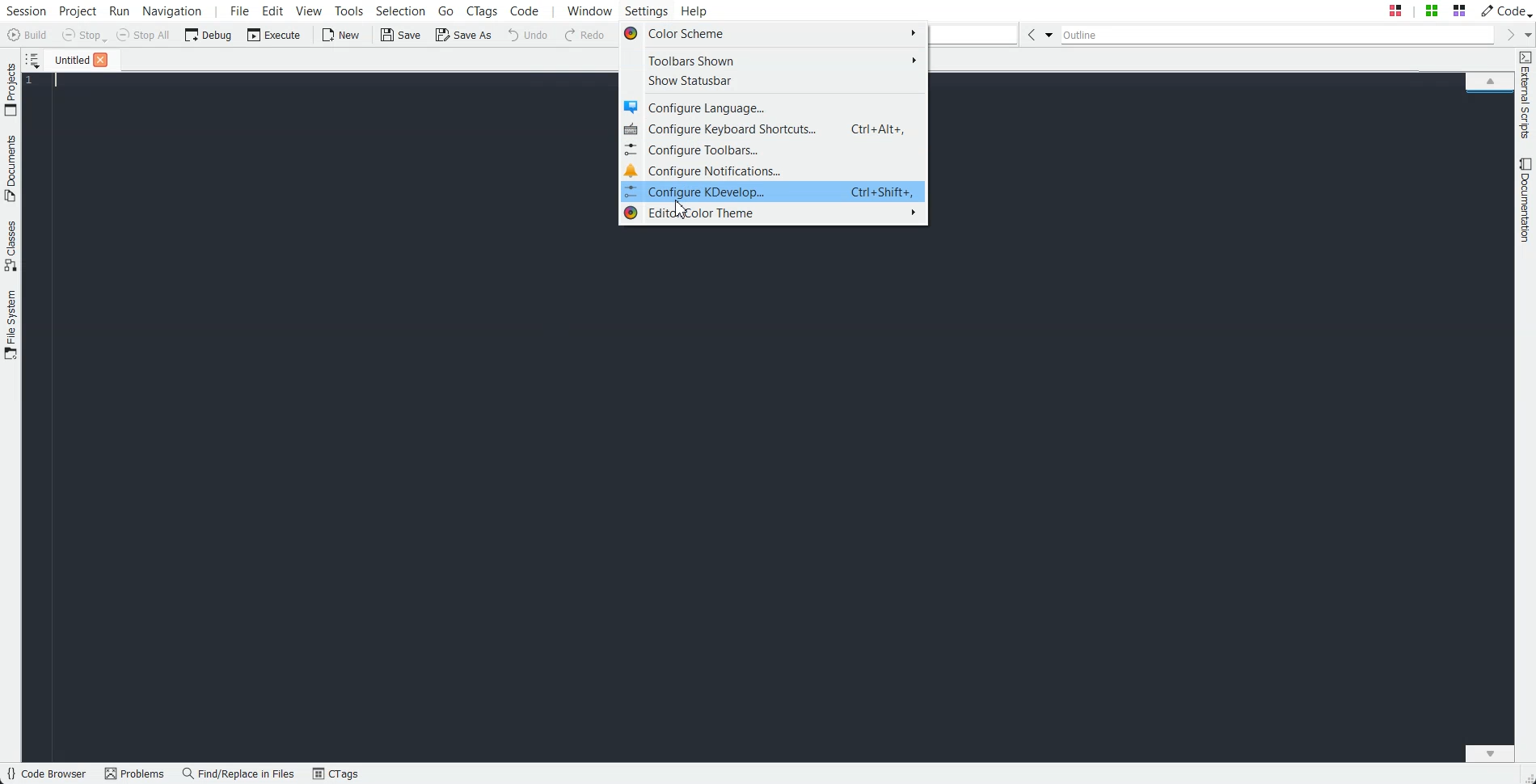 Image resolution: width=1536 pixels, height=784 pixels. I want to click on Drop Down box, so click(1049, 34).